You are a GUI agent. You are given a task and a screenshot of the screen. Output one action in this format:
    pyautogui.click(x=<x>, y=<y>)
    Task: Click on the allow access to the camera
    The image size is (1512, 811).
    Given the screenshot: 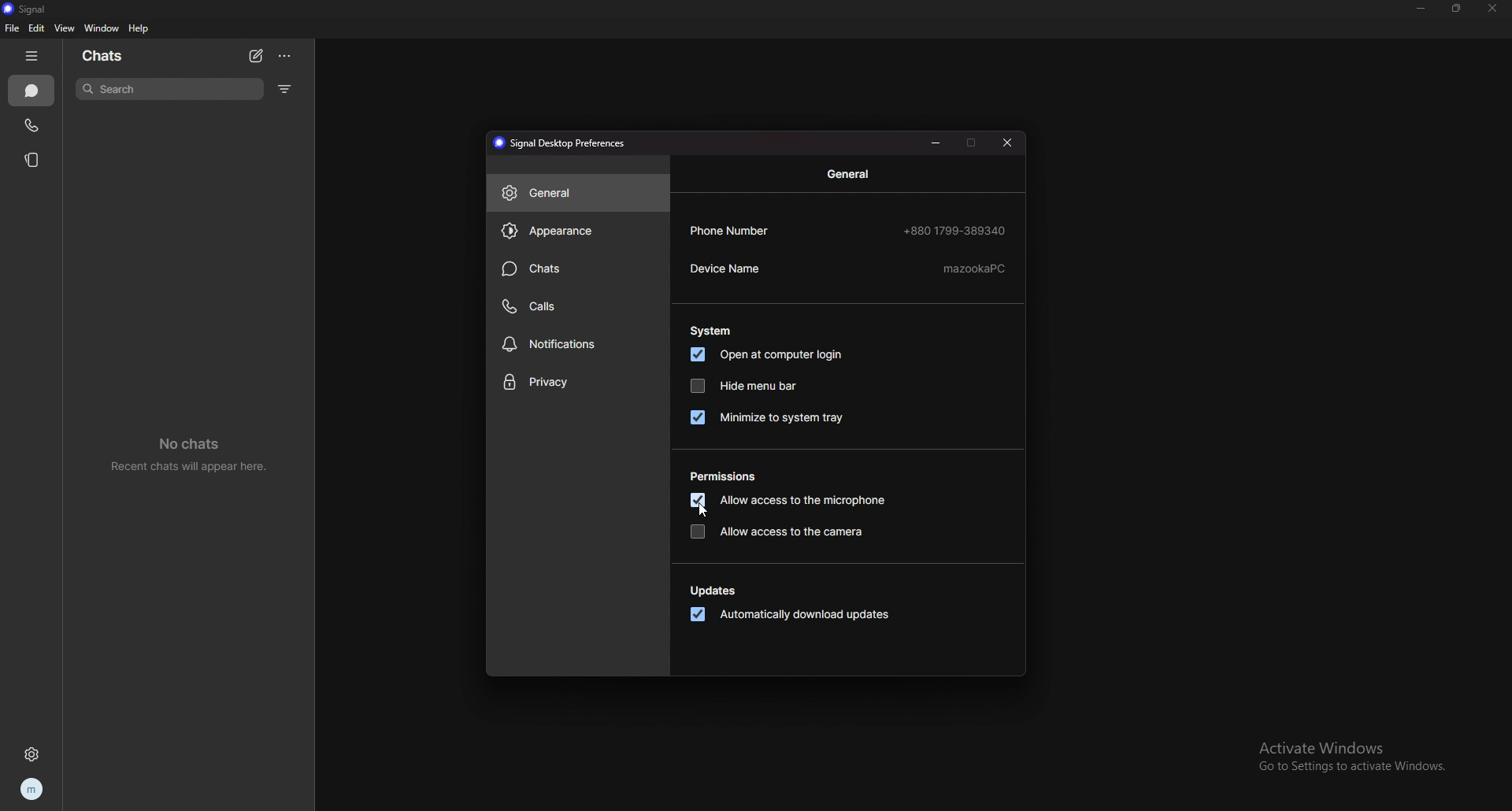 What is the action you would take?
    pyautogui.click(x=780, y=531)
    